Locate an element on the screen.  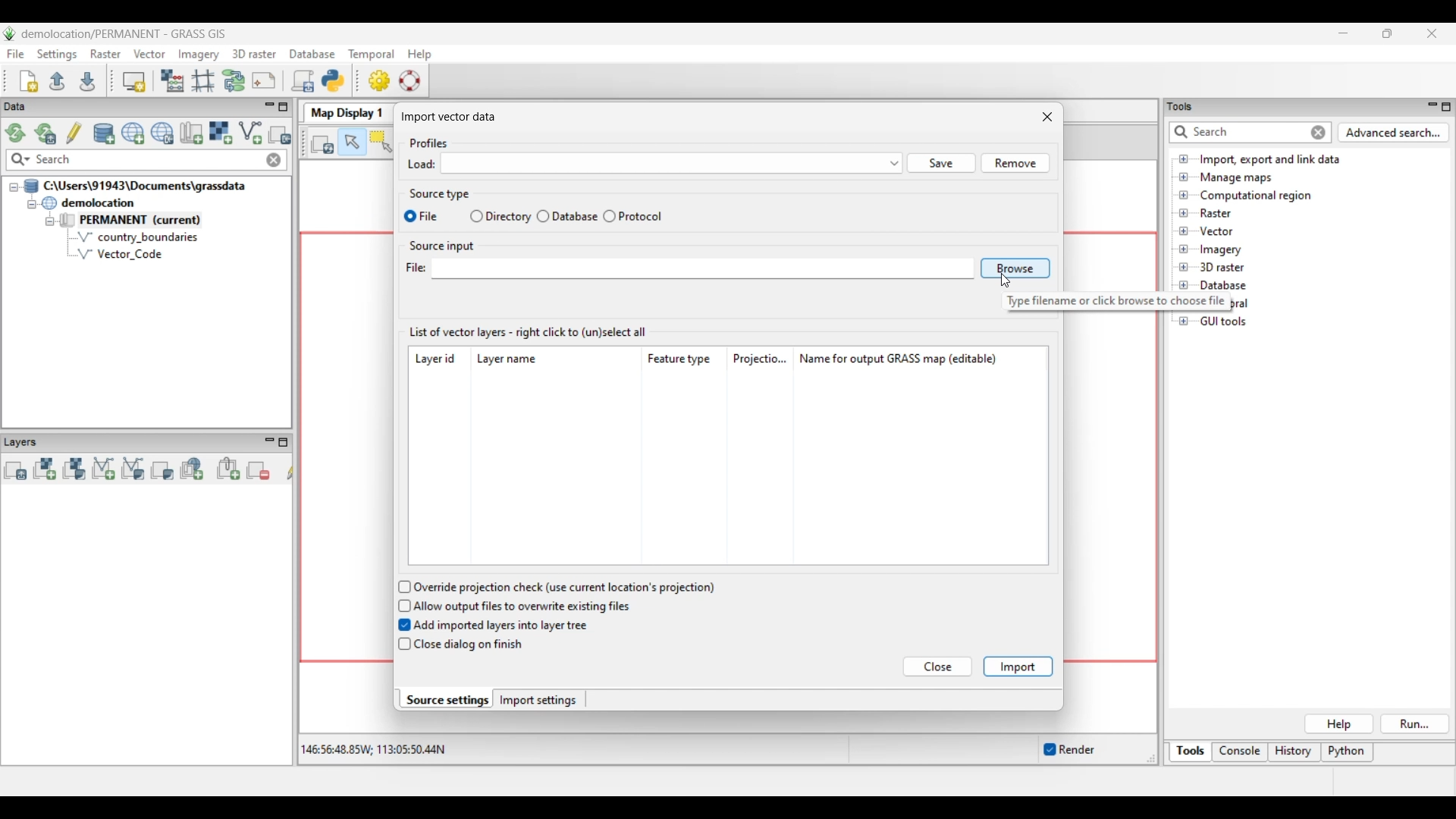
Click to open Database is located at coordinates (1184, 285).